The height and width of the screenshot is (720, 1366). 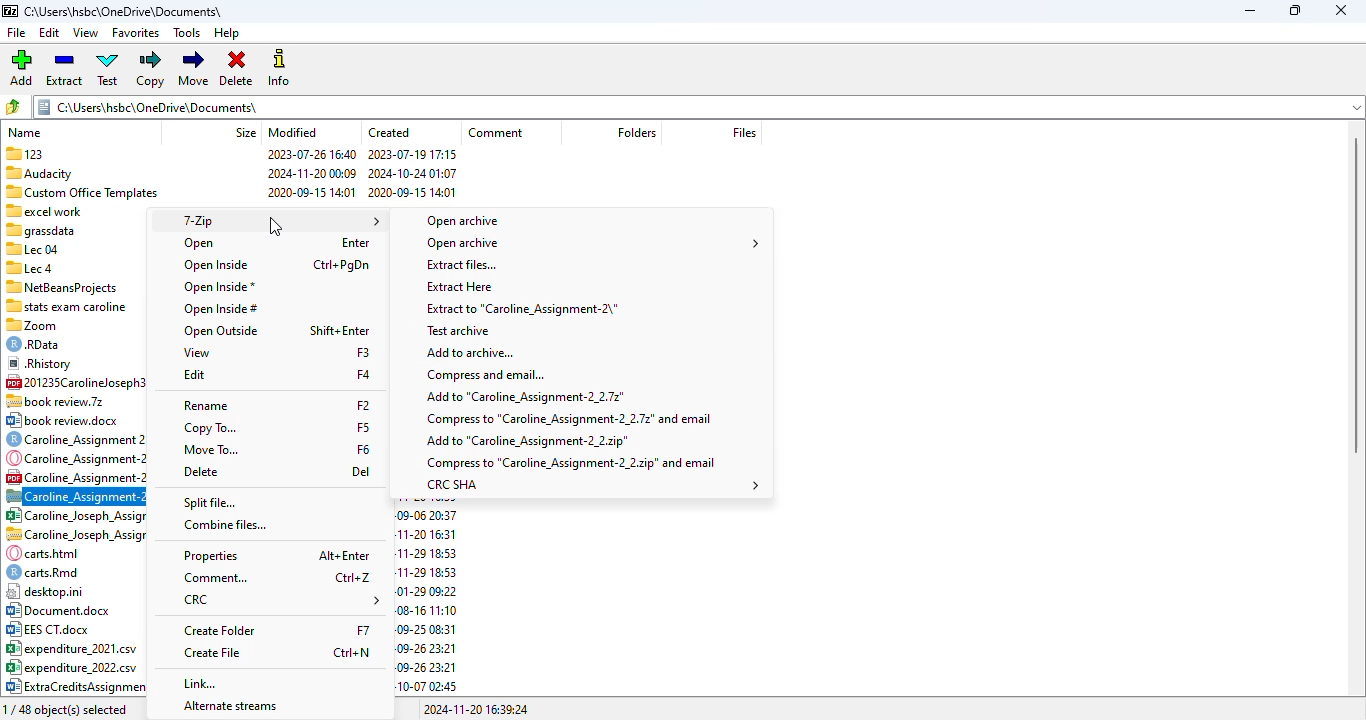 I want to click on extract, so click(x=65, y=68).